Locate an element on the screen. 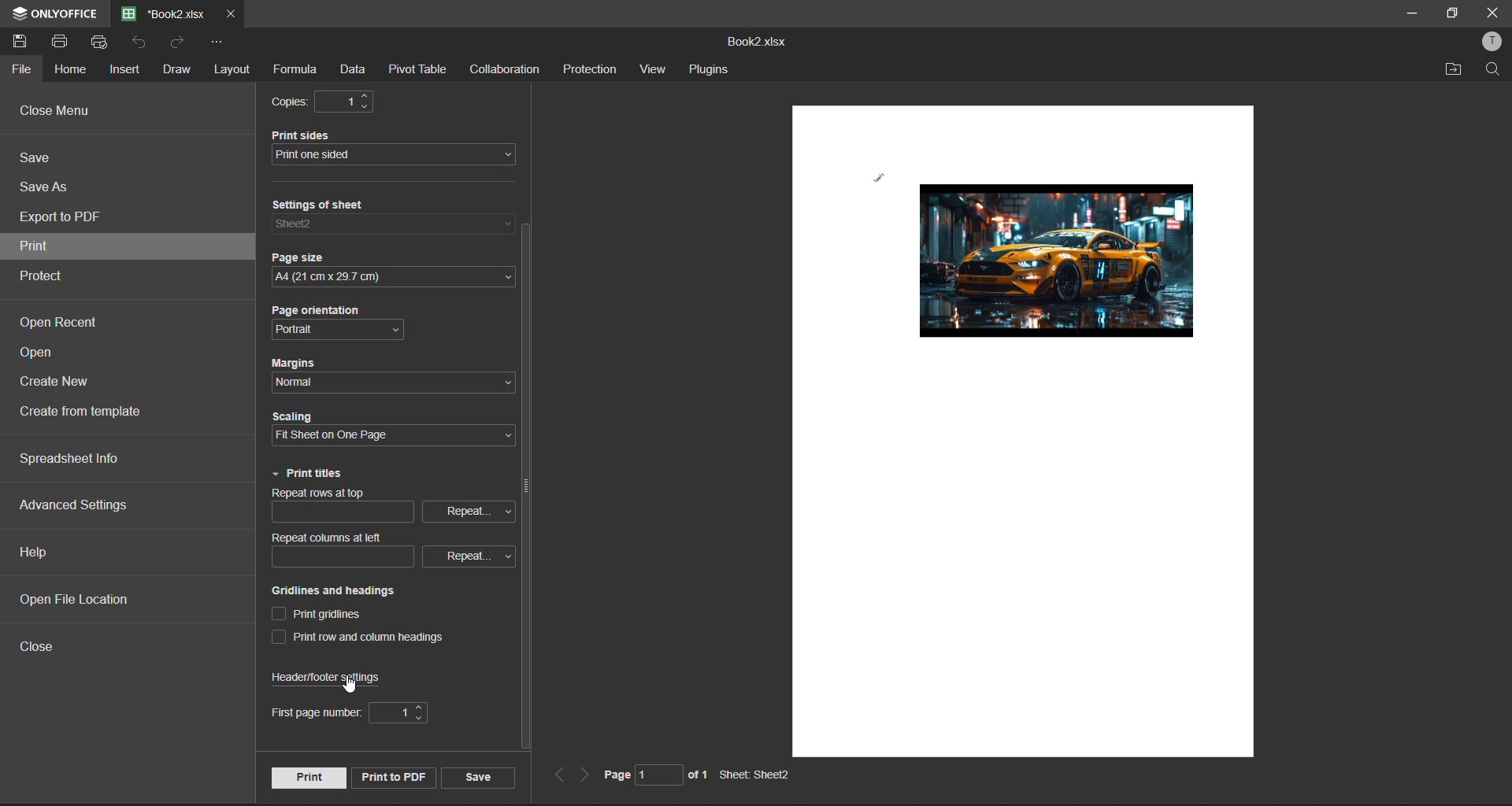 Image resolution: width=1512 pixels, height=806 pixels. copies is located at coordinates (329, 102).